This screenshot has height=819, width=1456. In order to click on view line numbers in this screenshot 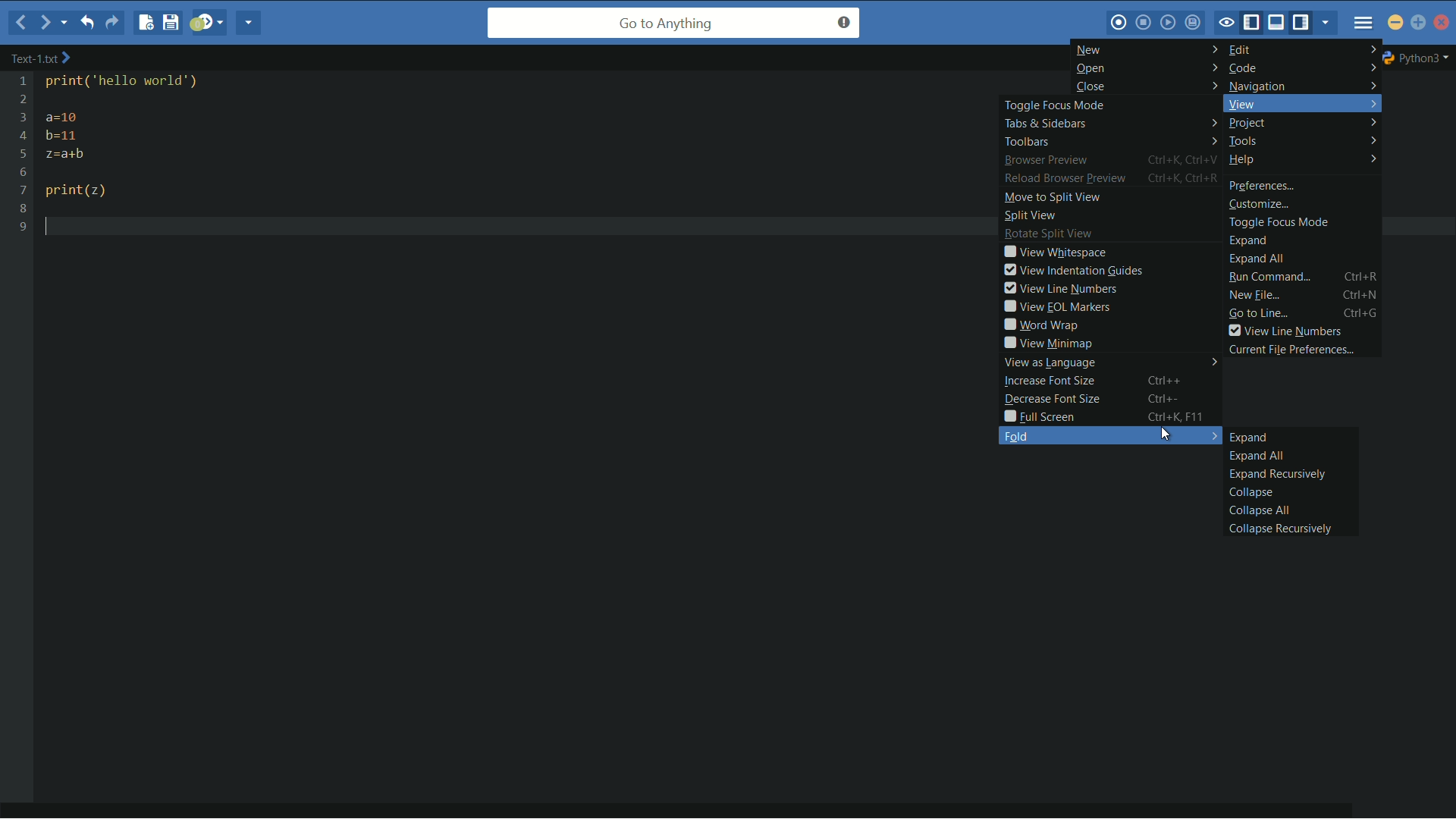, I will do `click(1059, 288)`.